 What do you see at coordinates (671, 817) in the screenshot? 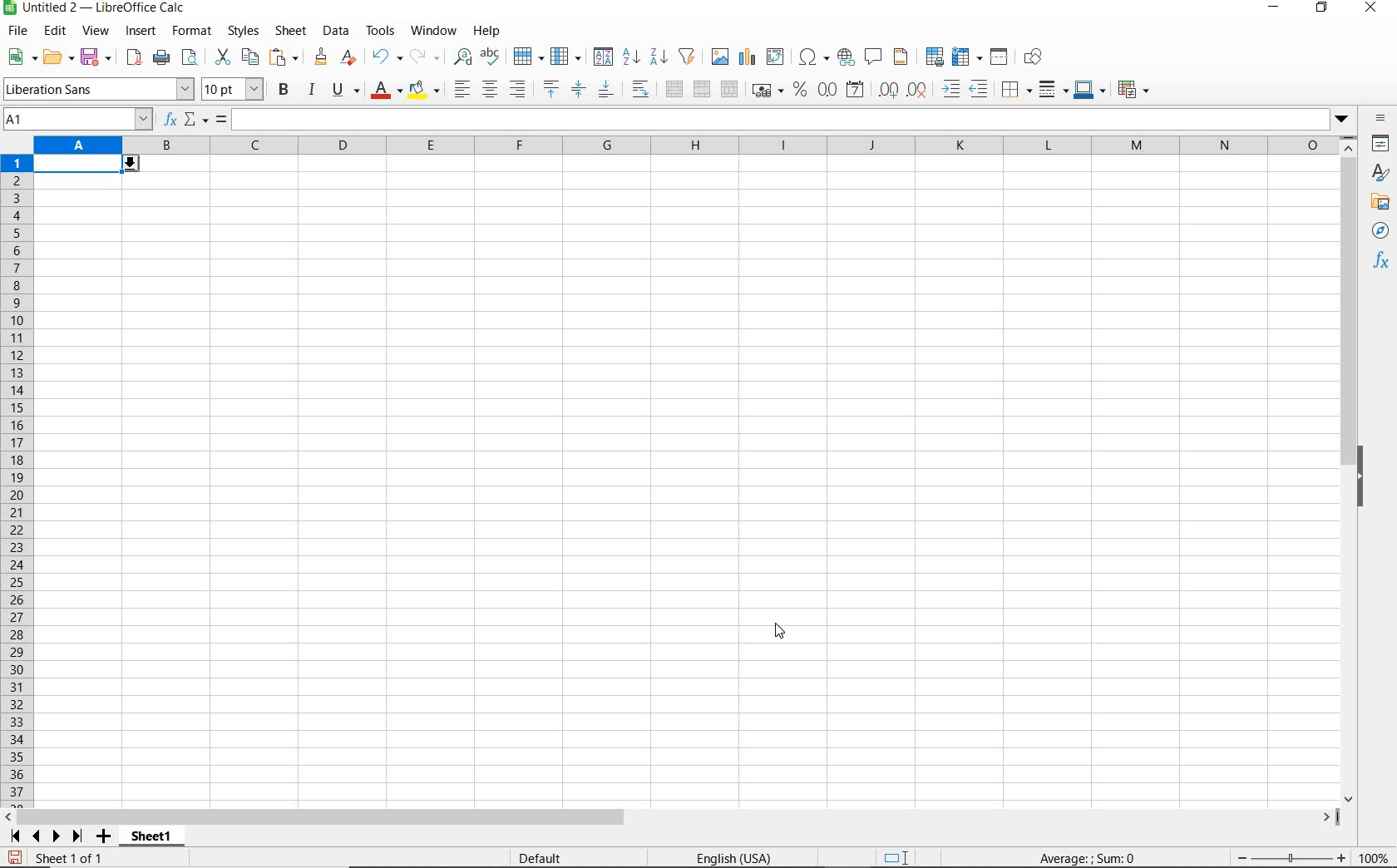
I see `scrollbar` at bounding box center [671, 817].